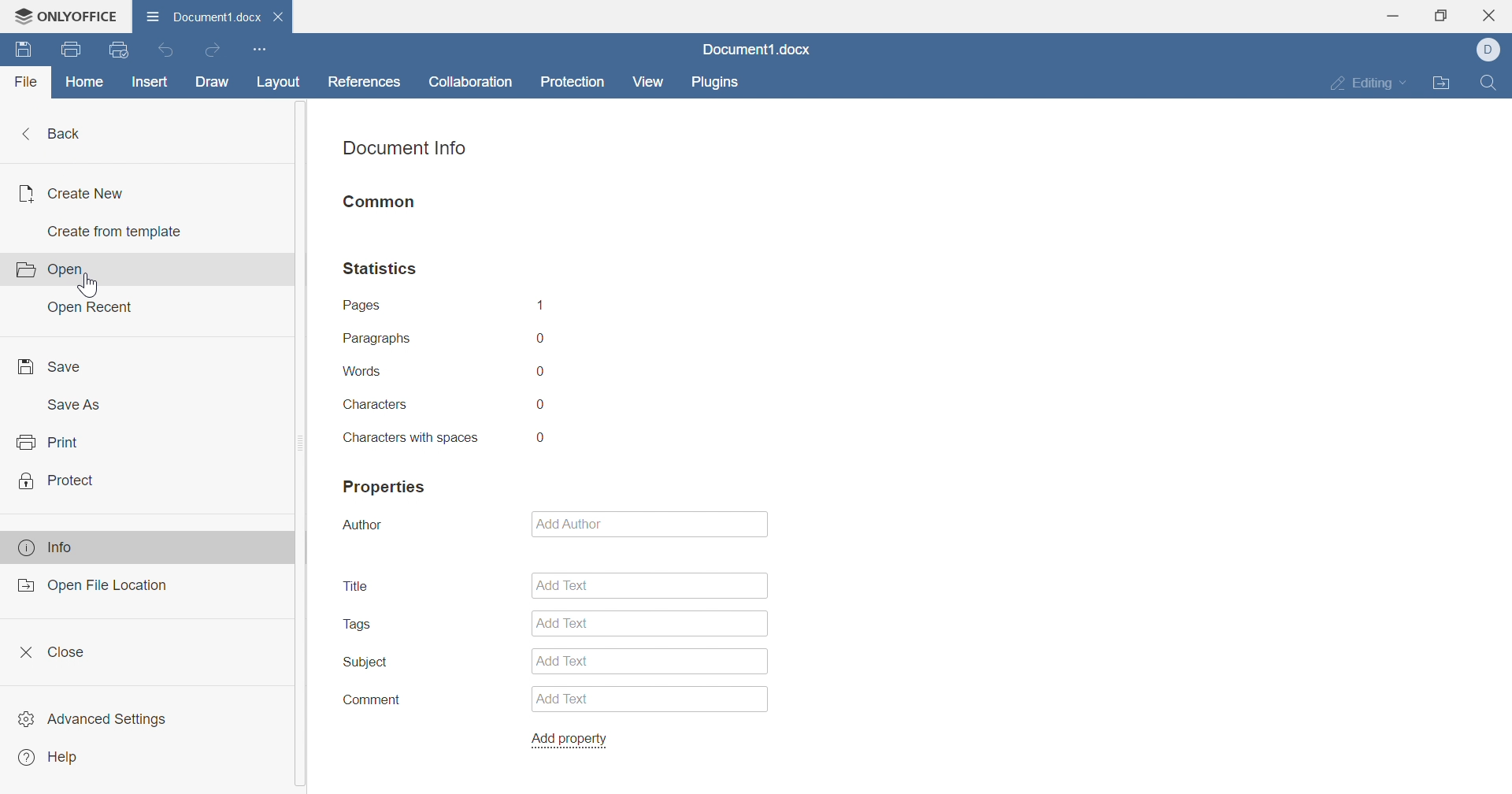 The height and width of the screenshot is (794, 1512). What do you see at coordinates (48, 442) in the screenshot?
I see `print` at bounding box center [48, 442].